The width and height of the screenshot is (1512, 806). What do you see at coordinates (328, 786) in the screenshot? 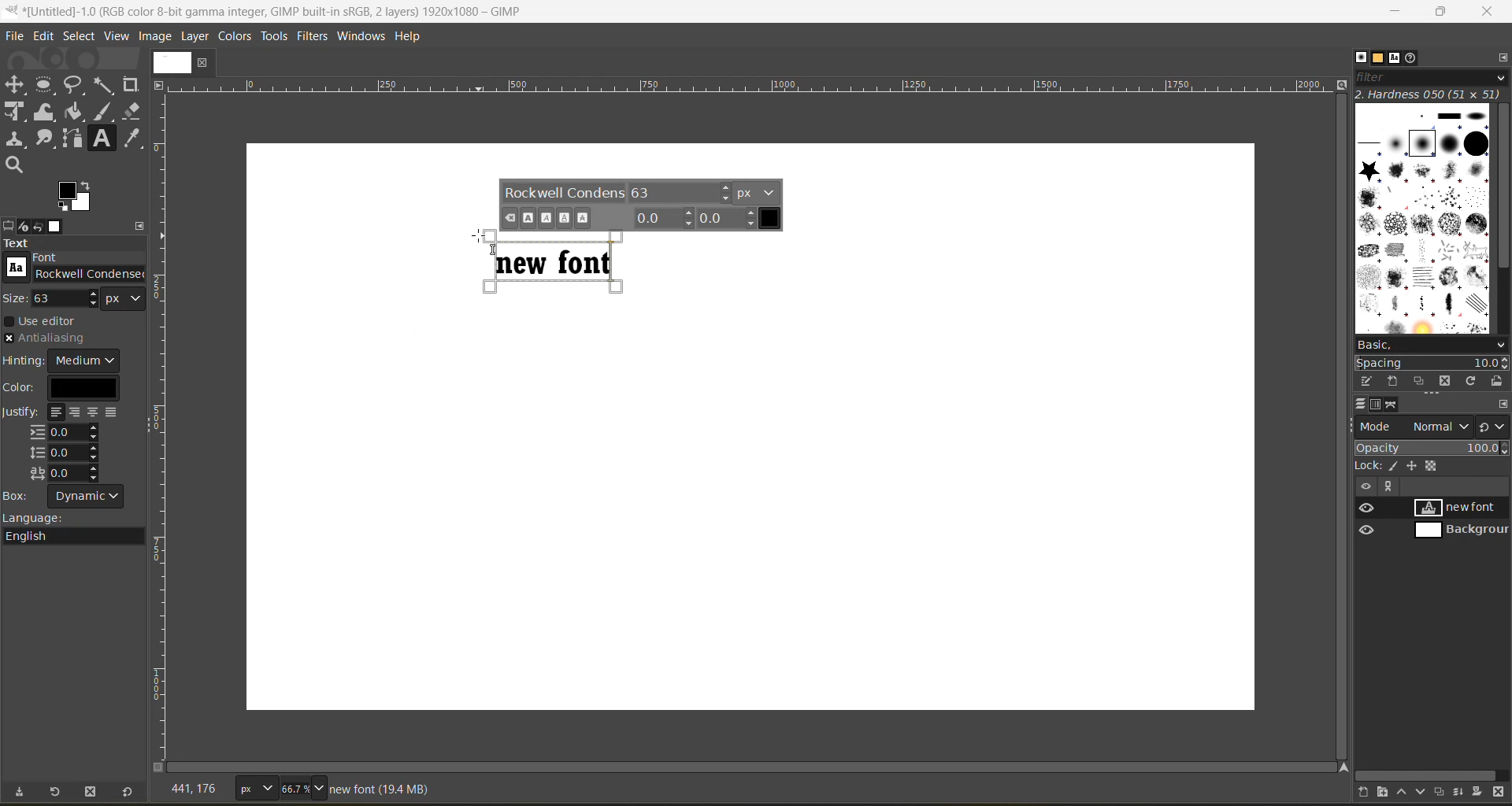
I see `zoom` at bounding box center [328, 786].